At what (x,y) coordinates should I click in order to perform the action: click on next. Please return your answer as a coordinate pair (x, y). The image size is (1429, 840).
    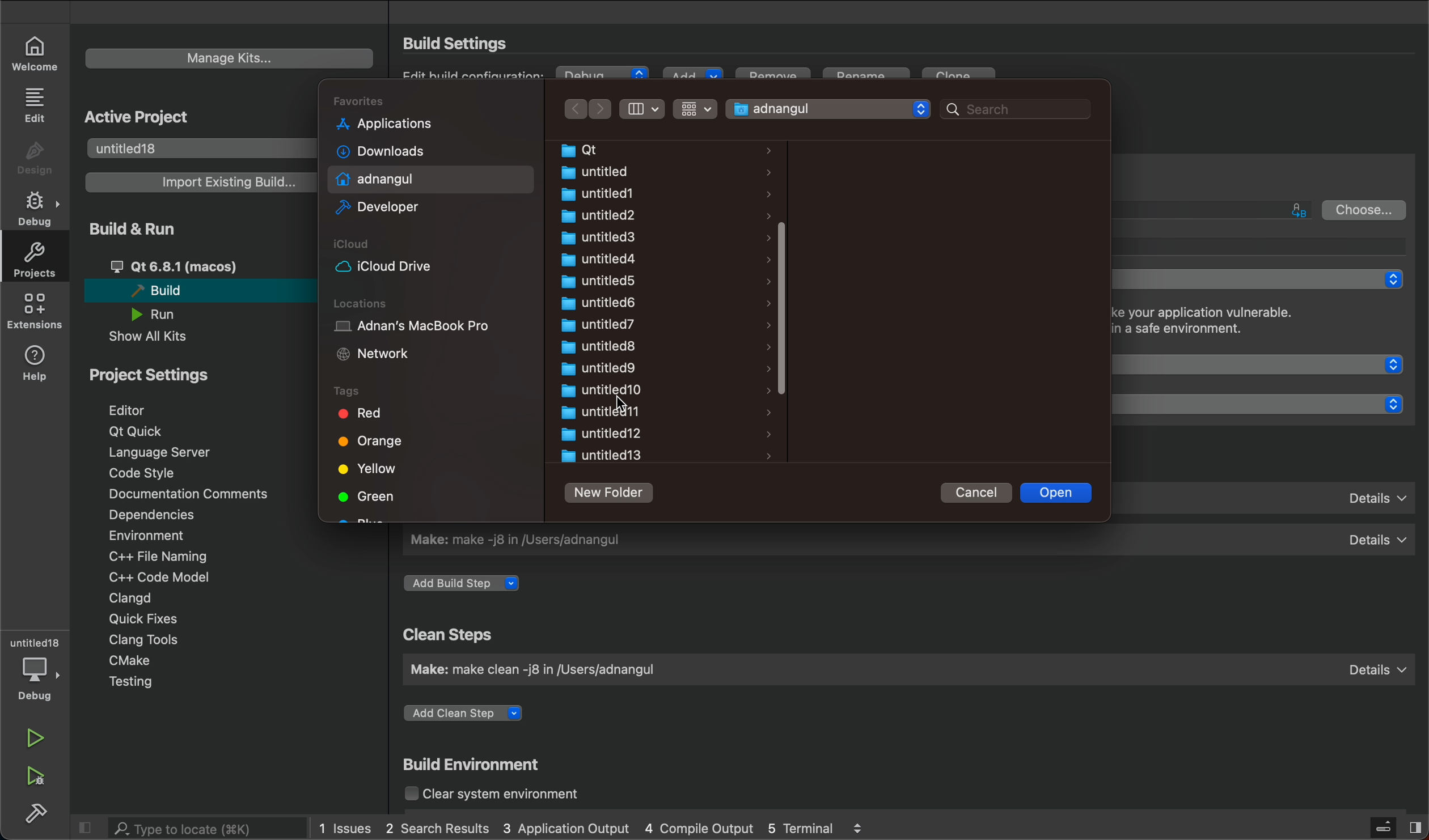
    Looking at the image, I should click on (602, 109).